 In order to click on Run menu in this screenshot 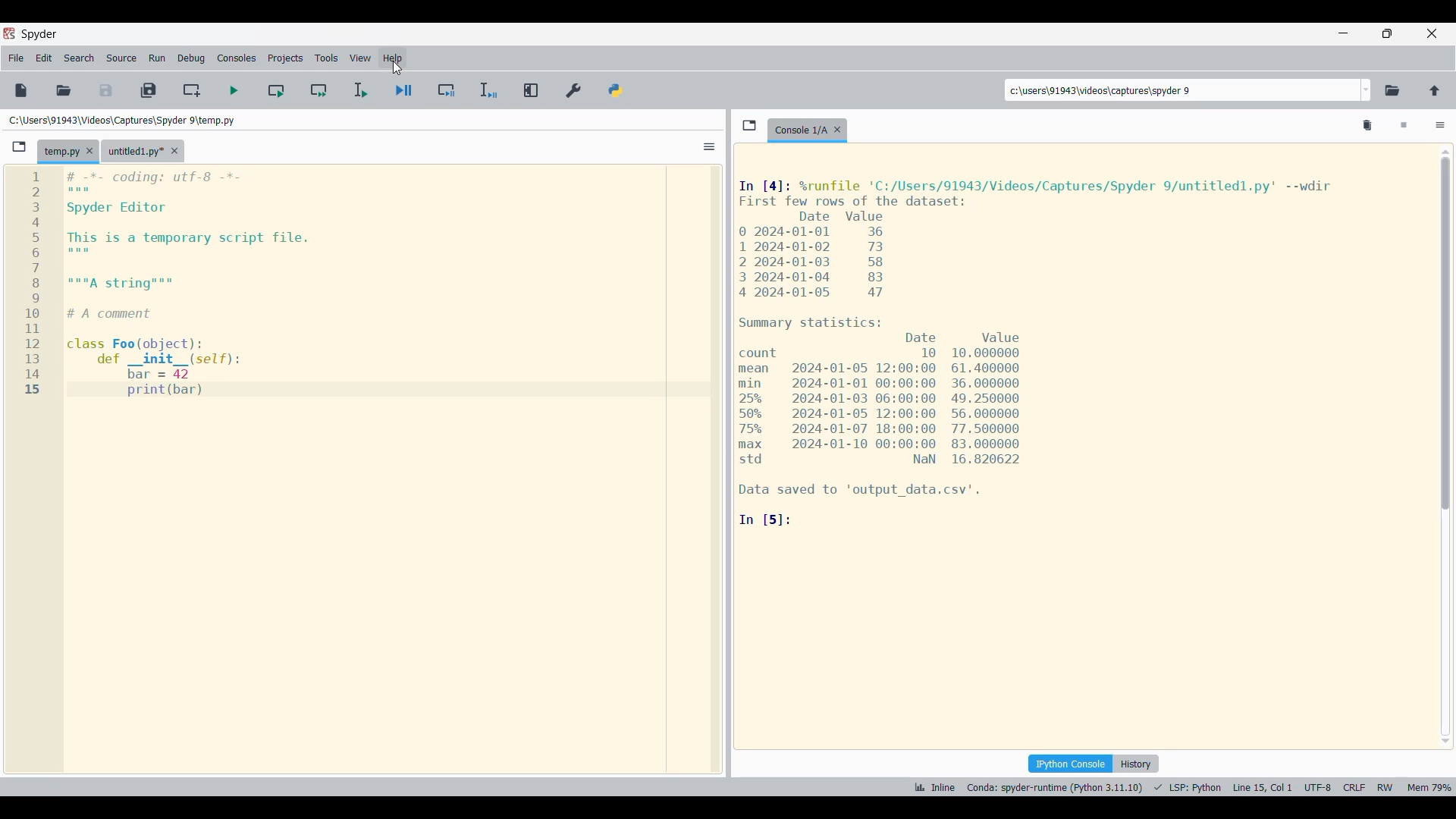, I will do `click(157, 58)`.